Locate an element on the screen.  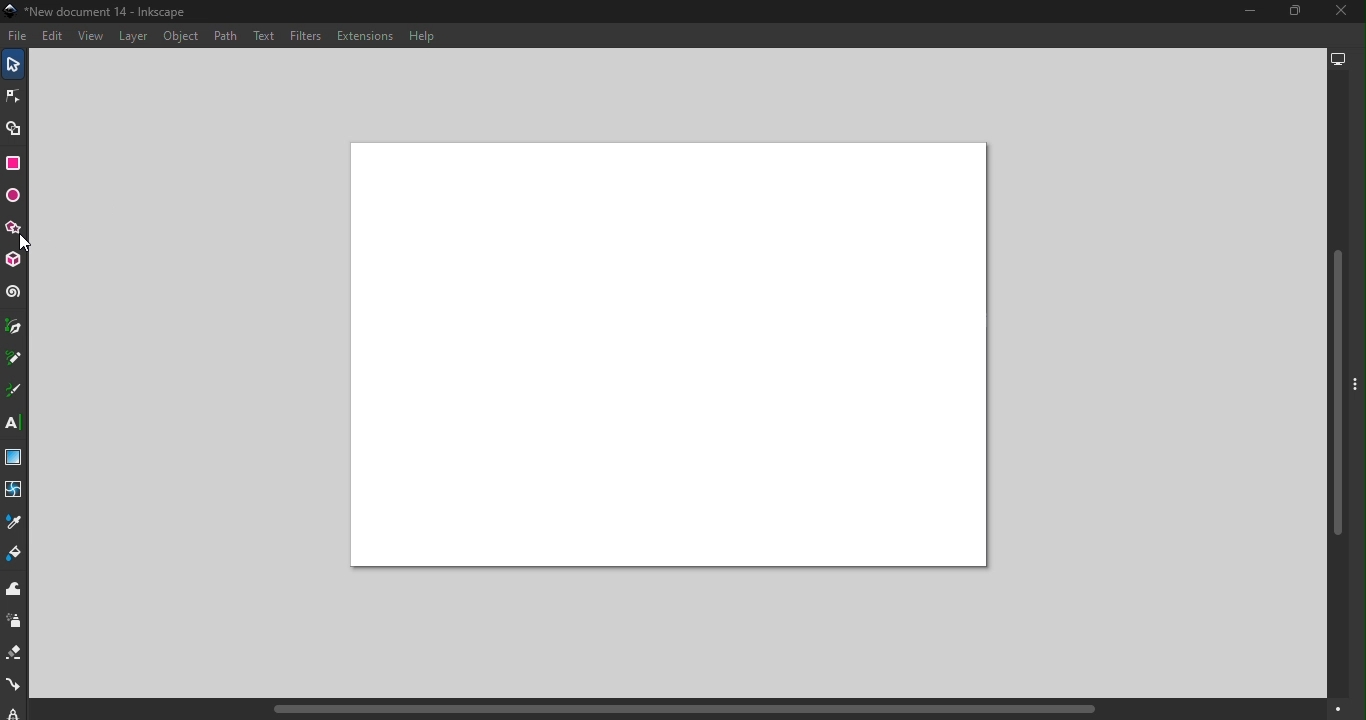
Vertical scroll bar is located at coordinates (1339, 387).